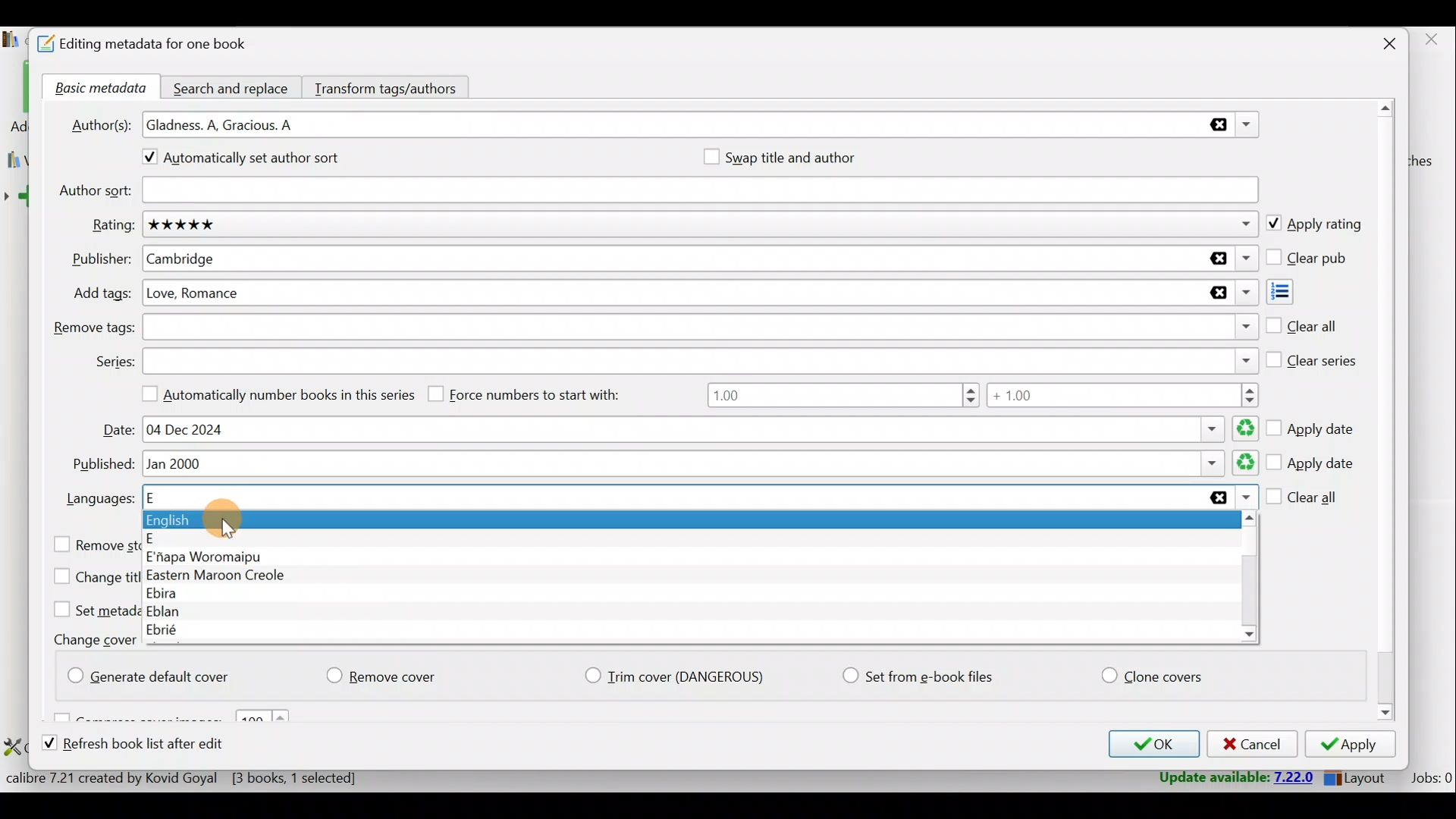 The height and width of the screenshot is (819, 1456). I want to click on Clear all, so click(1302, 323).